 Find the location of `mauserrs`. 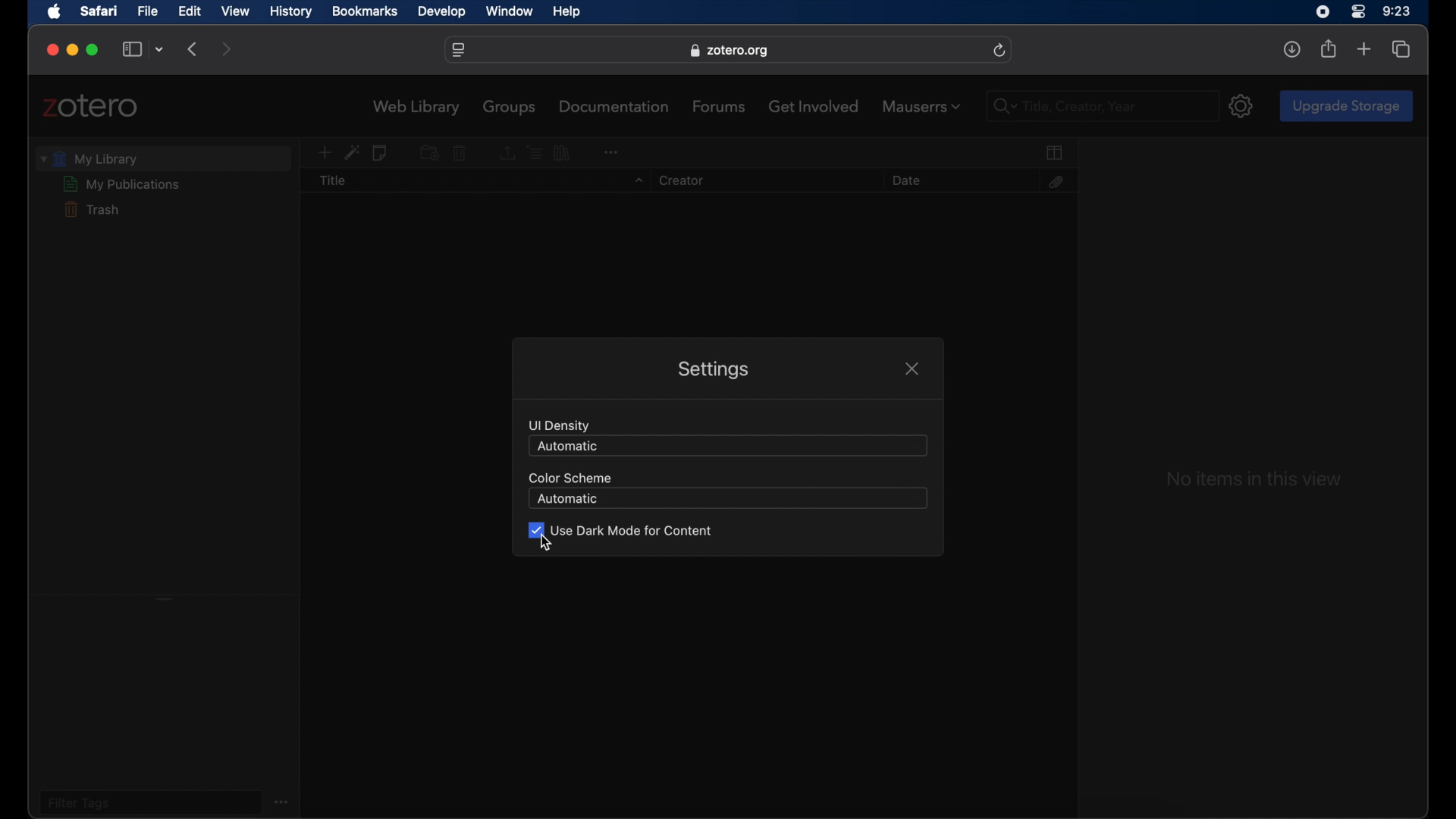

mauserrs is located at coordinates (921, 106).